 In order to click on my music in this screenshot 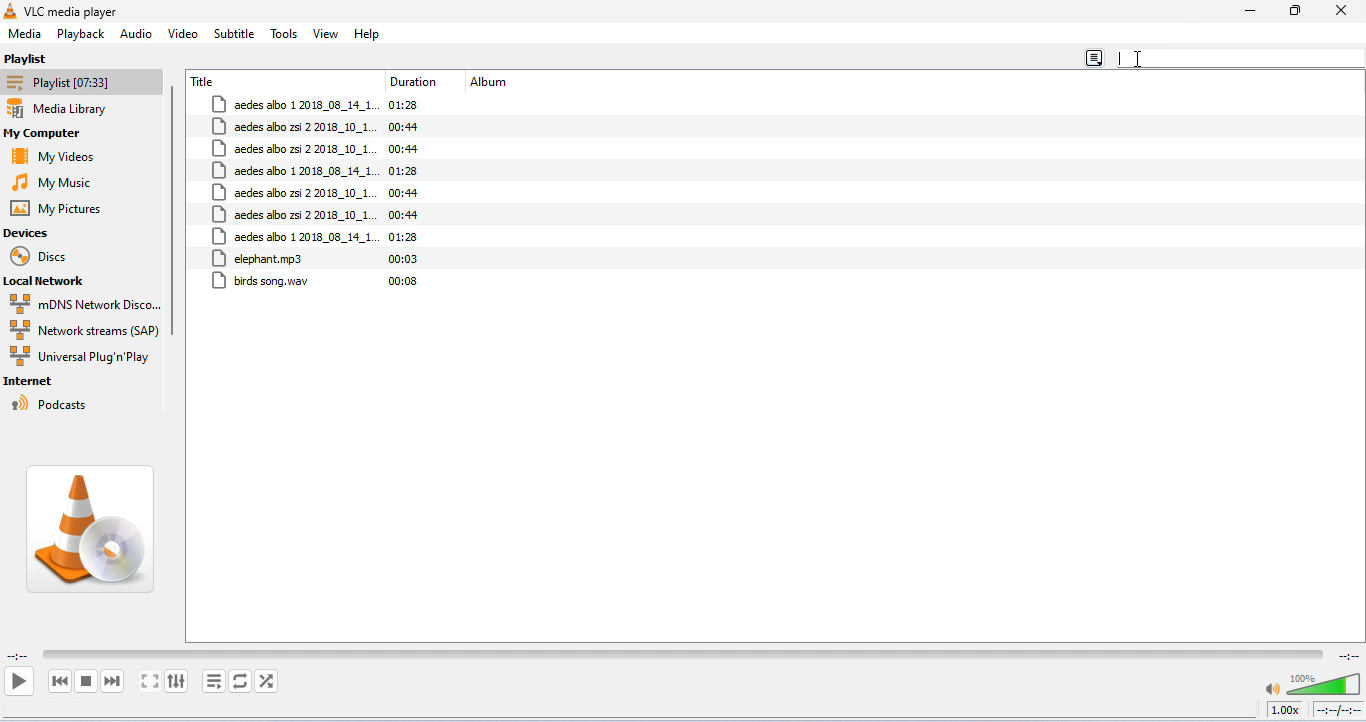, I will do `click(61, 182)`.